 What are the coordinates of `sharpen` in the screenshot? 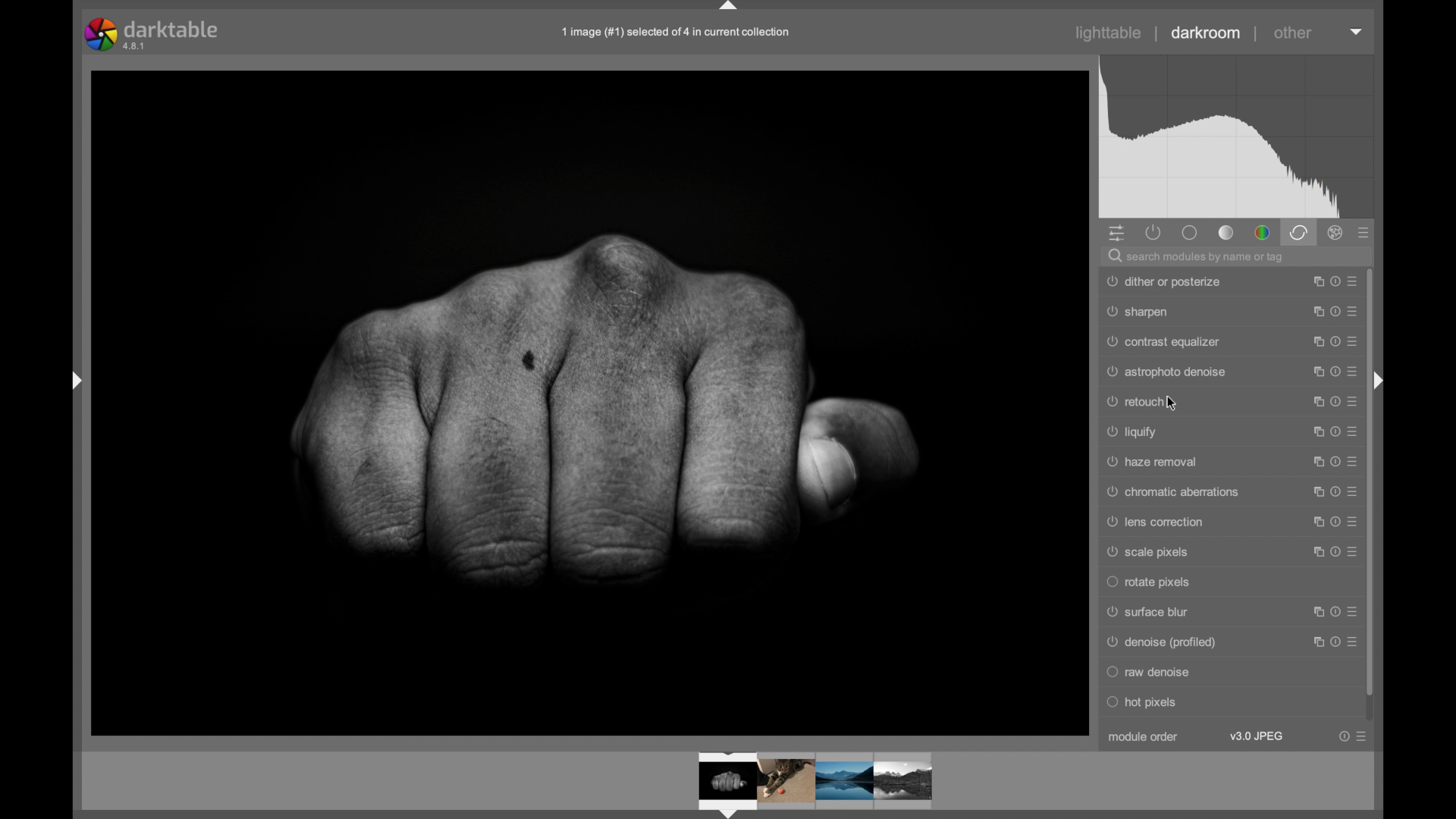 It's located at (1138, 312).